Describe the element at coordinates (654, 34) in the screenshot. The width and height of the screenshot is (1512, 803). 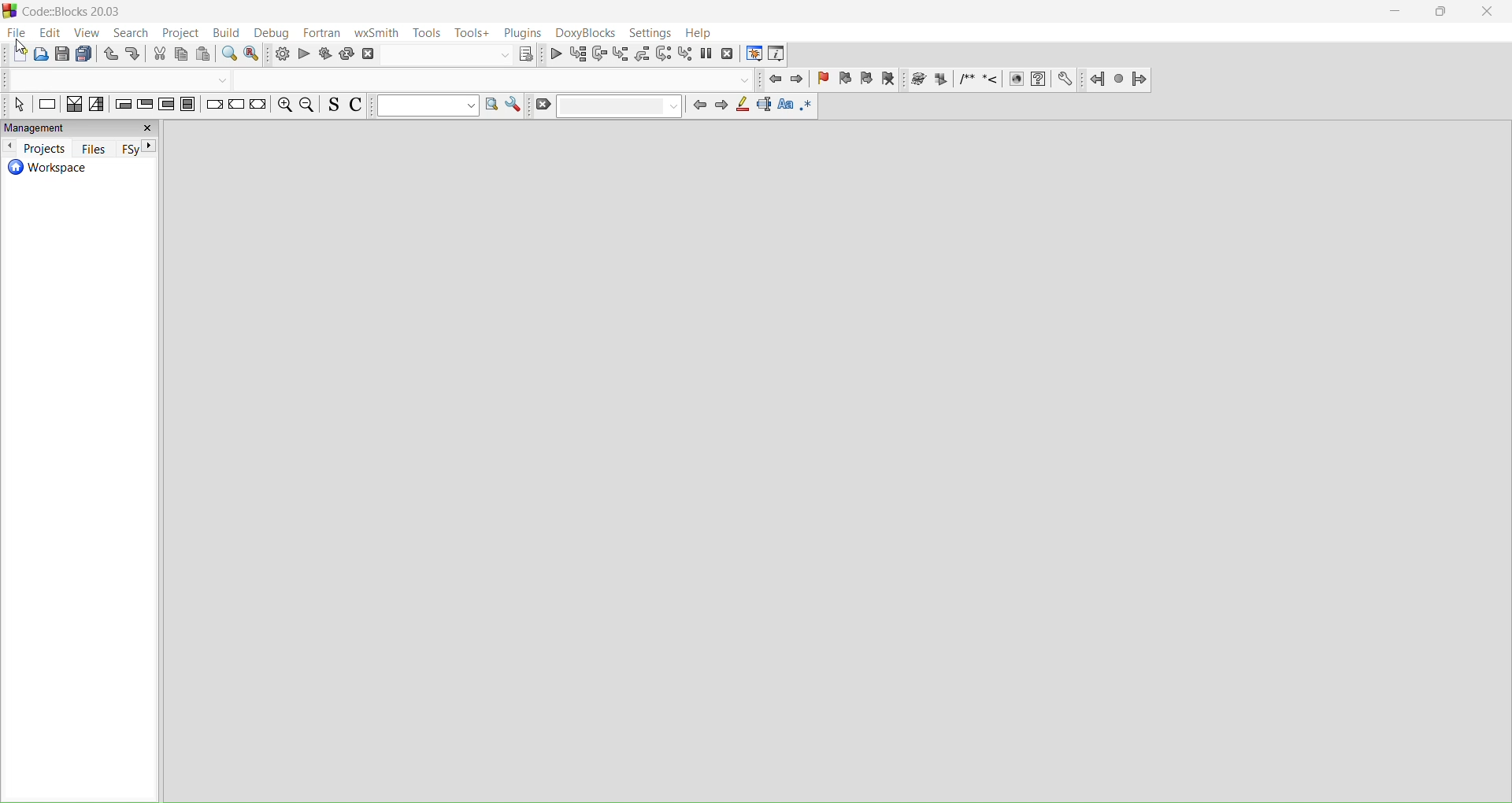
I see `settings` at that location.